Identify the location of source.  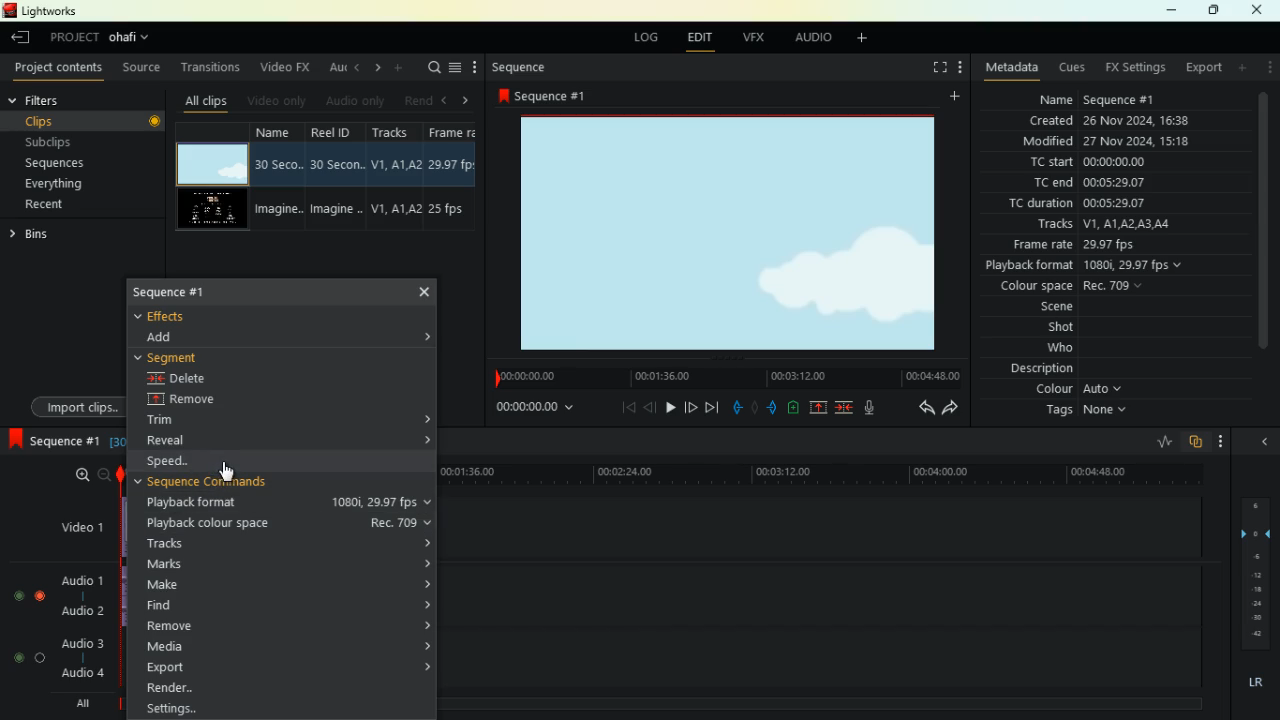
(144, 69).